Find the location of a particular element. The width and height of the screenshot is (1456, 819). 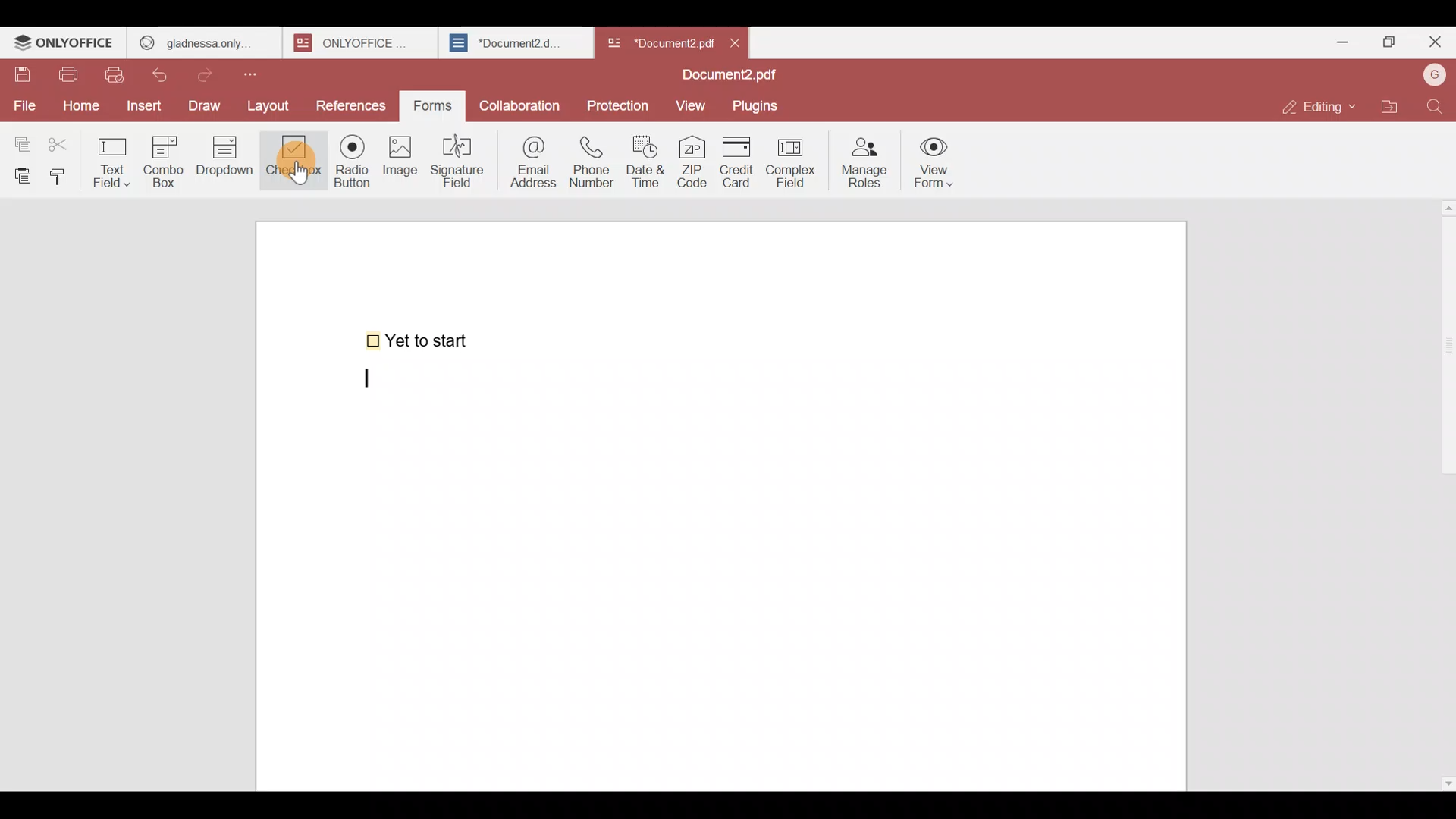

Radio is located at coordinates (347, 165).